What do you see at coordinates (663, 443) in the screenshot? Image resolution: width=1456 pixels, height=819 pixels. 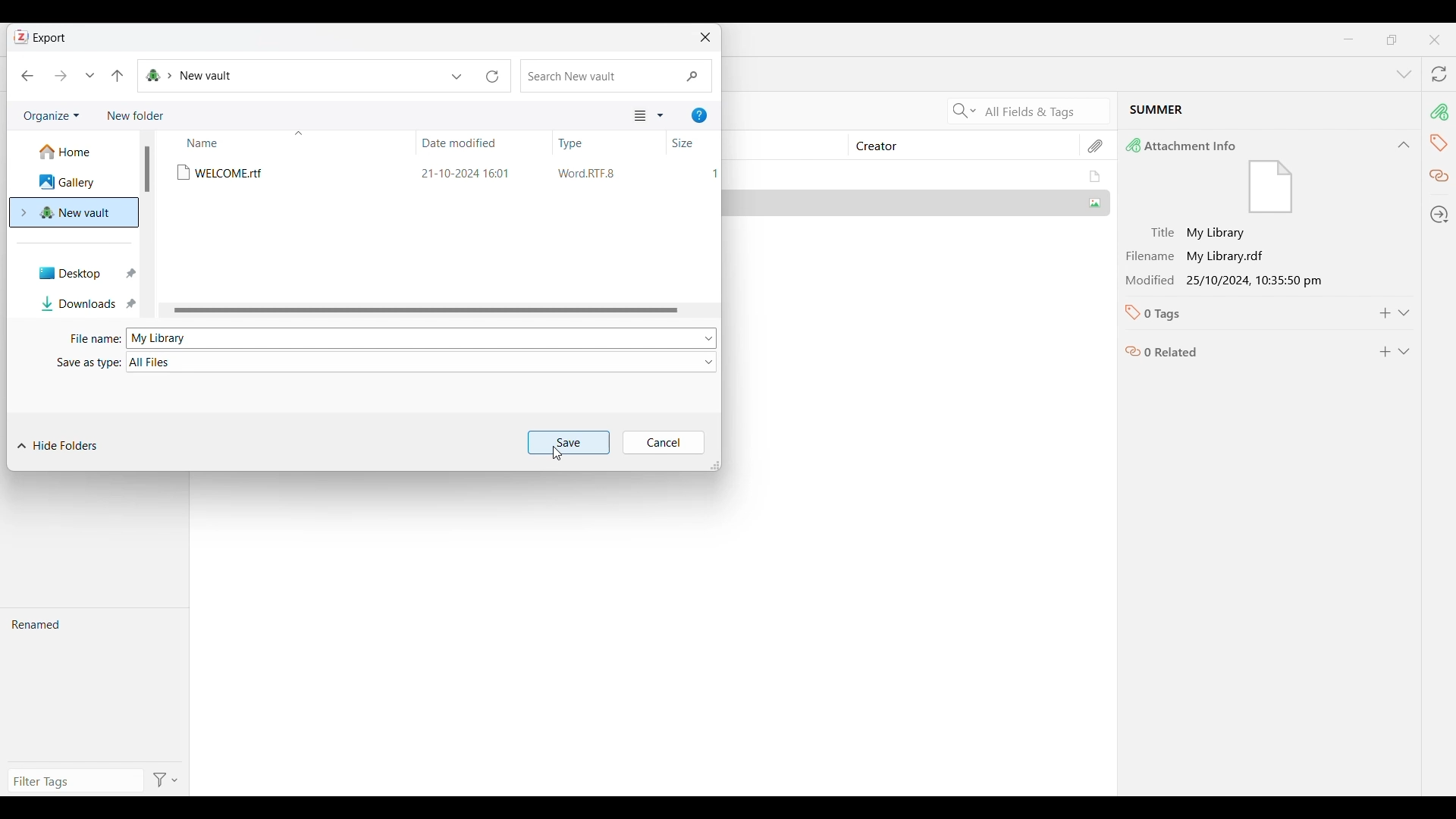 I see `Cancel` at bounding box center [663, 443].